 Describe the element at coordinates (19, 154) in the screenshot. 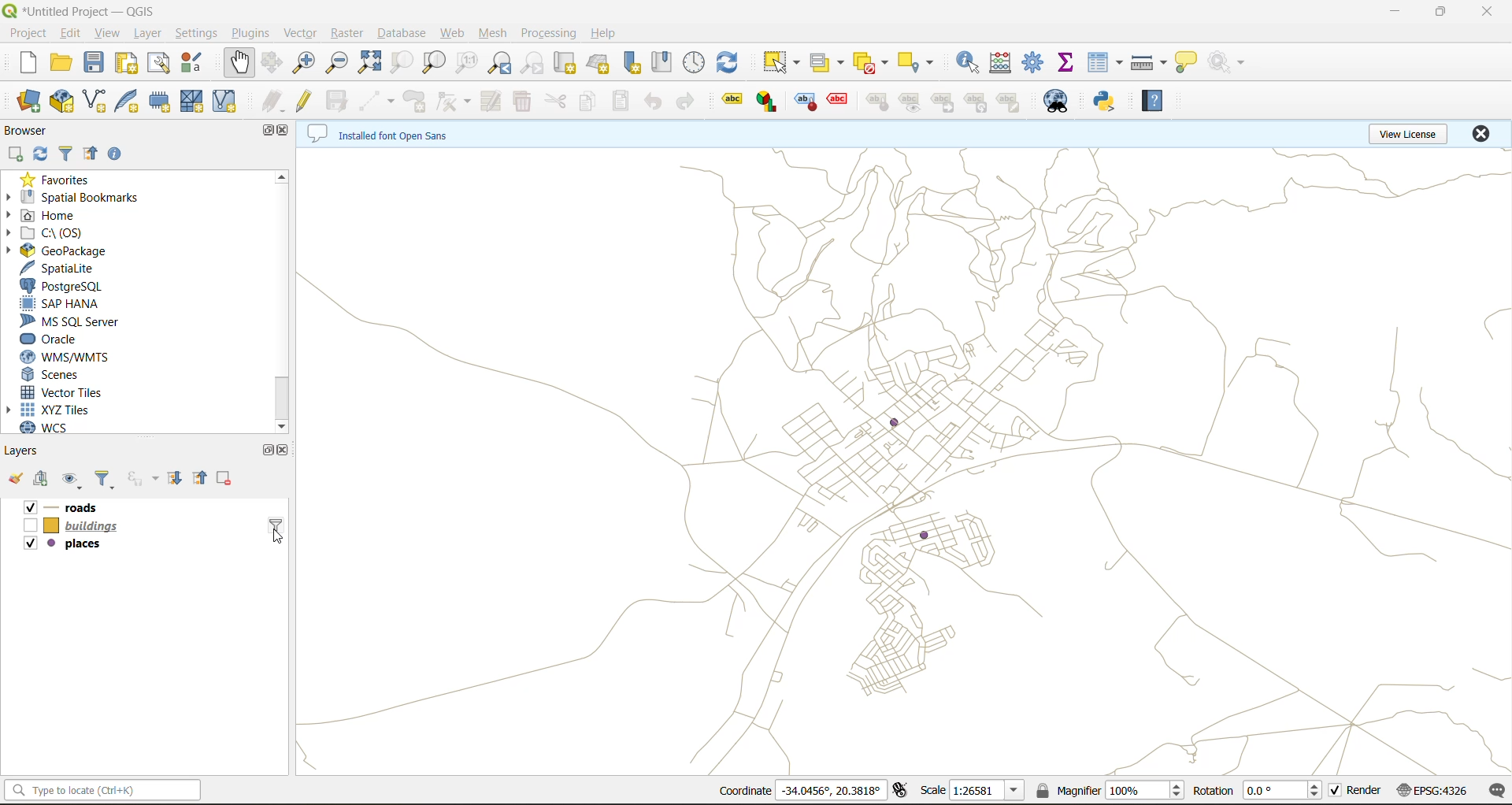

I see `add` at that location.